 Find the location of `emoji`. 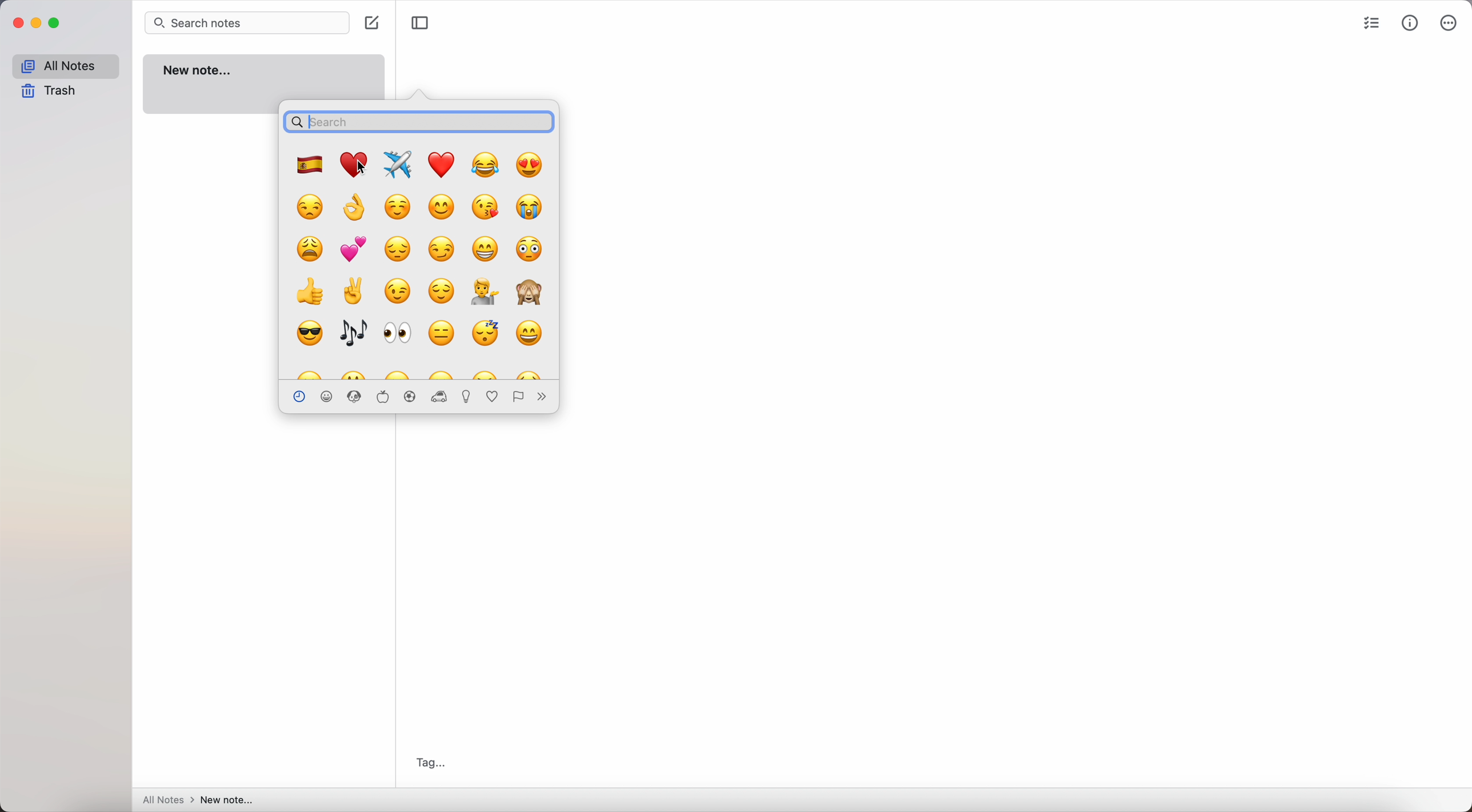

emoji is located at coordinates (441, 206).